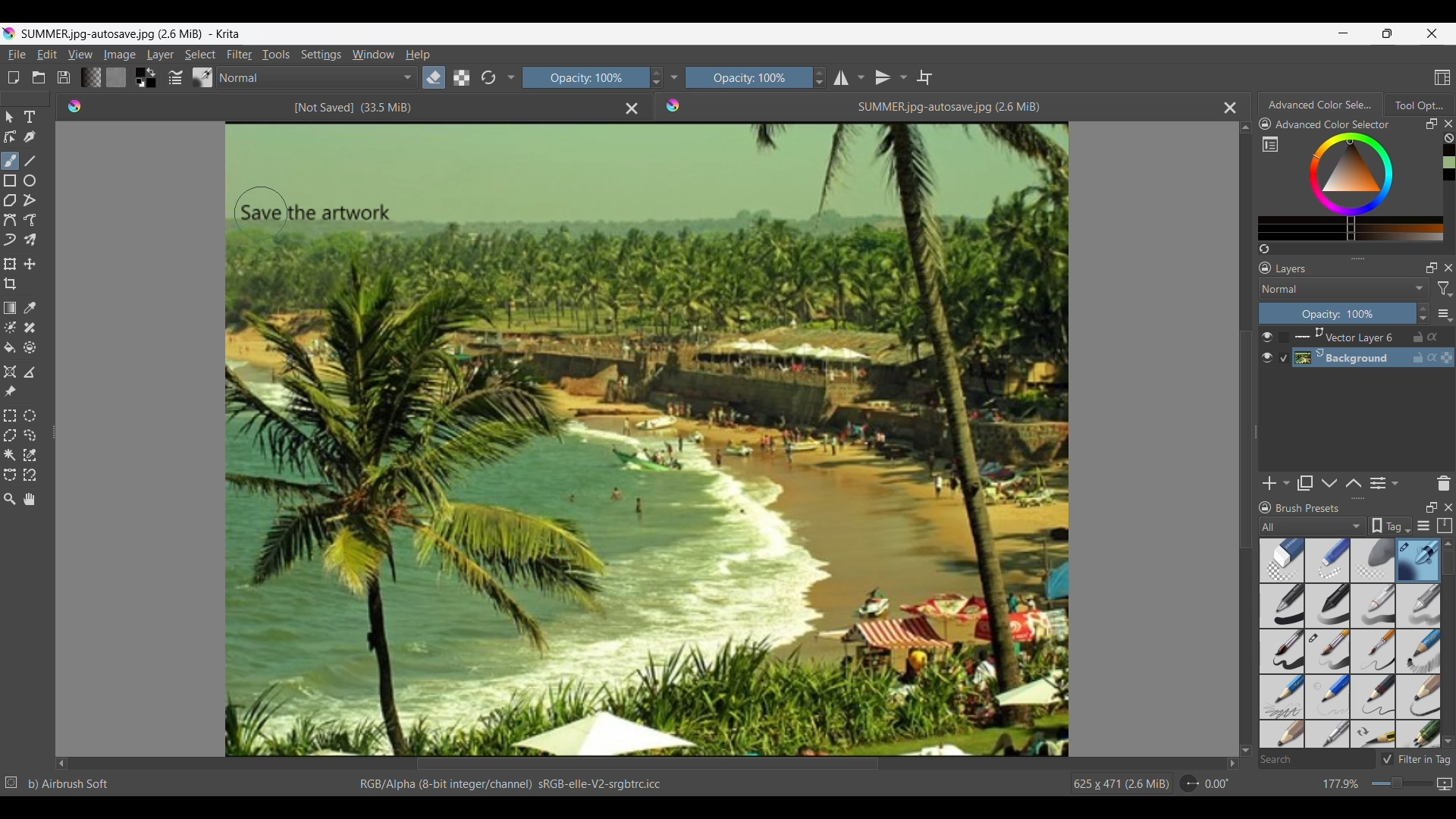 The image size is (1456, 819). What do you see at coordinates (1265, 268) in the screenshot?
I see `Lock layers panel` at bounding box center [1265, 268].